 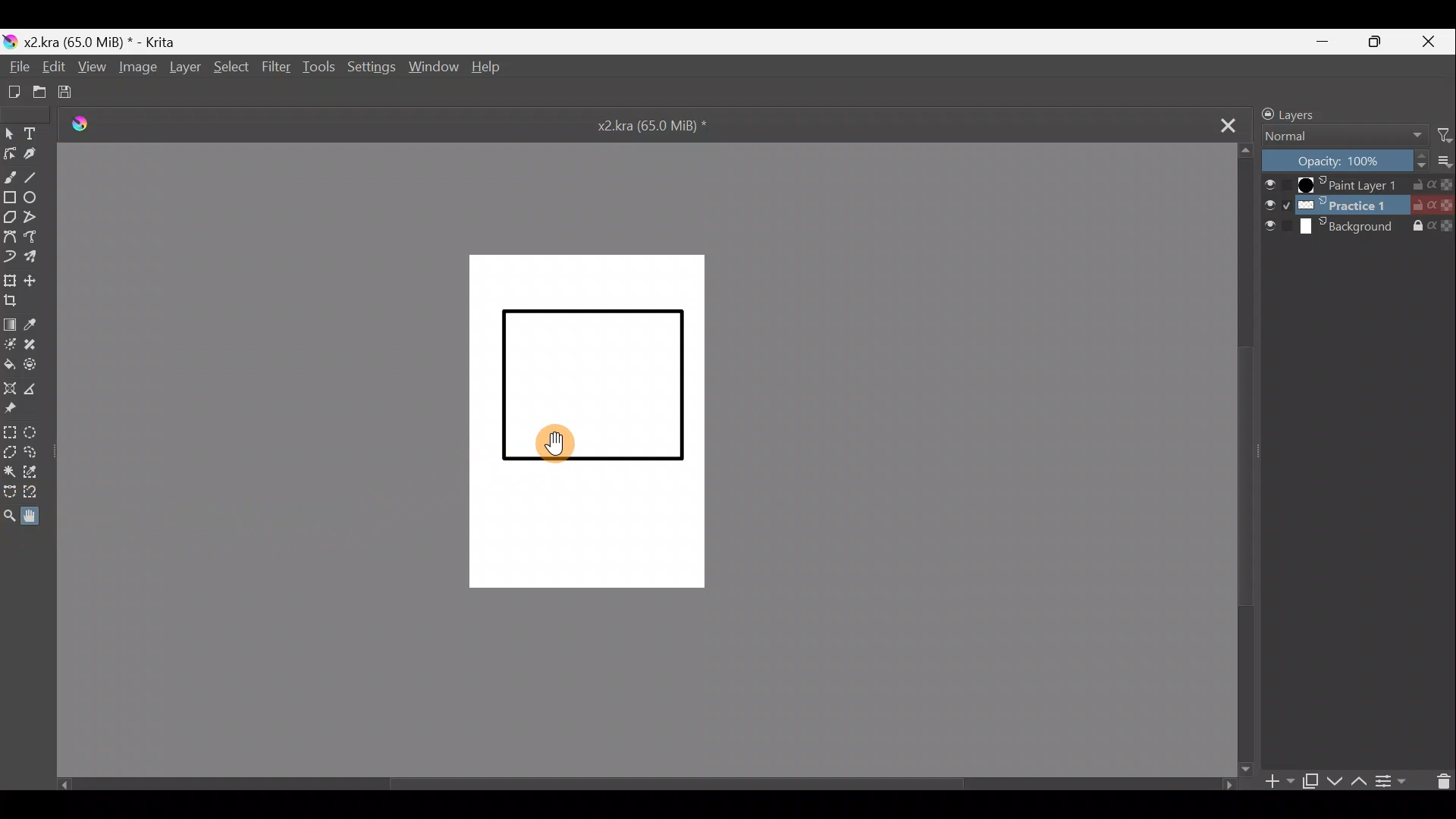 What do you see at coordinates (9, 343) in the screenshot?
I see `Colourise mask tool` at bounding box center [9, 343].